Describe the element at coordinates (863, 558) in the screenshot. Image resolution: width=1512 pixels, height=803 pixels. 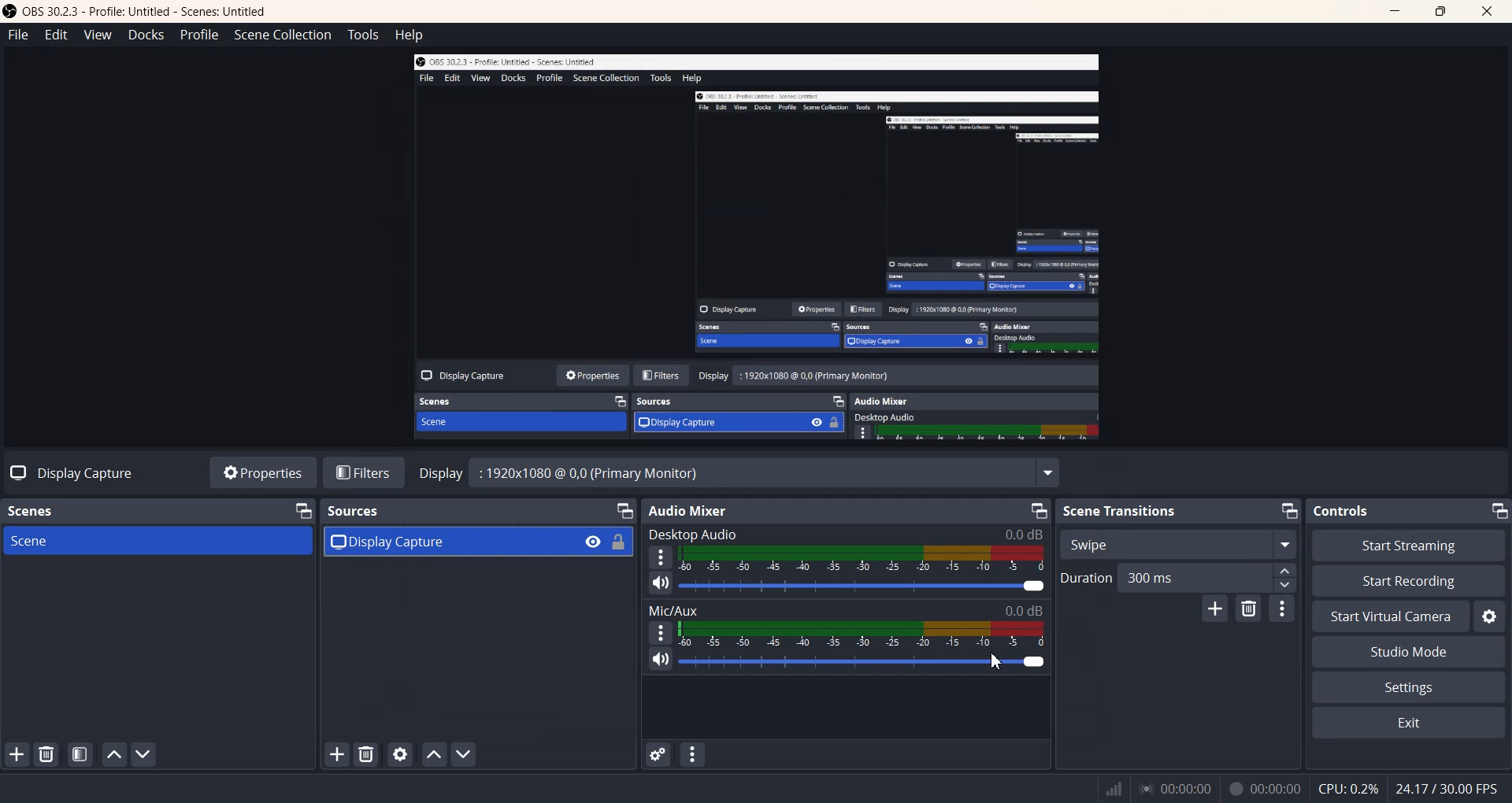
I see `Volume Indicator` at that location.